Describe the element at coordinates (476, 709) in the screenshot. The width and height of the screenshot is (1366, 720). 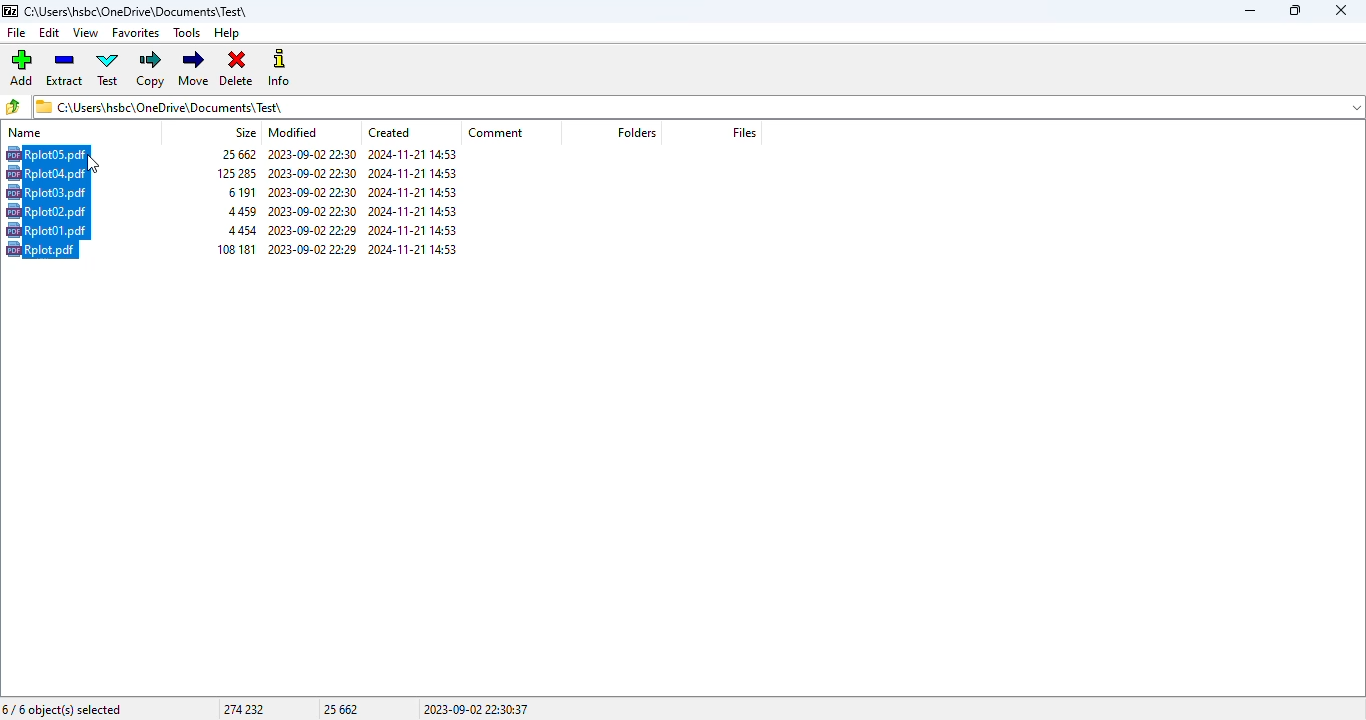
I see `2023-09-02 22:30:37` at that location.